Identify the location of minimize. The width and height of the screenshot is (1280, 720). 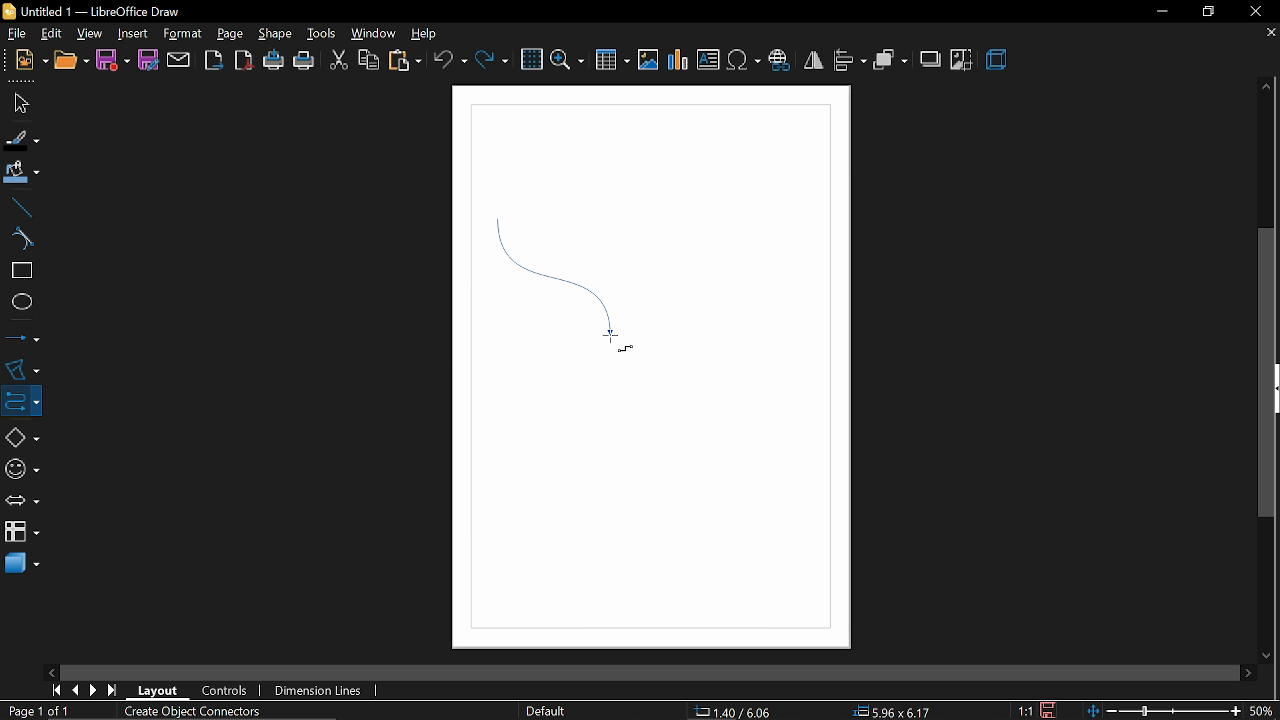
(1158, 12).